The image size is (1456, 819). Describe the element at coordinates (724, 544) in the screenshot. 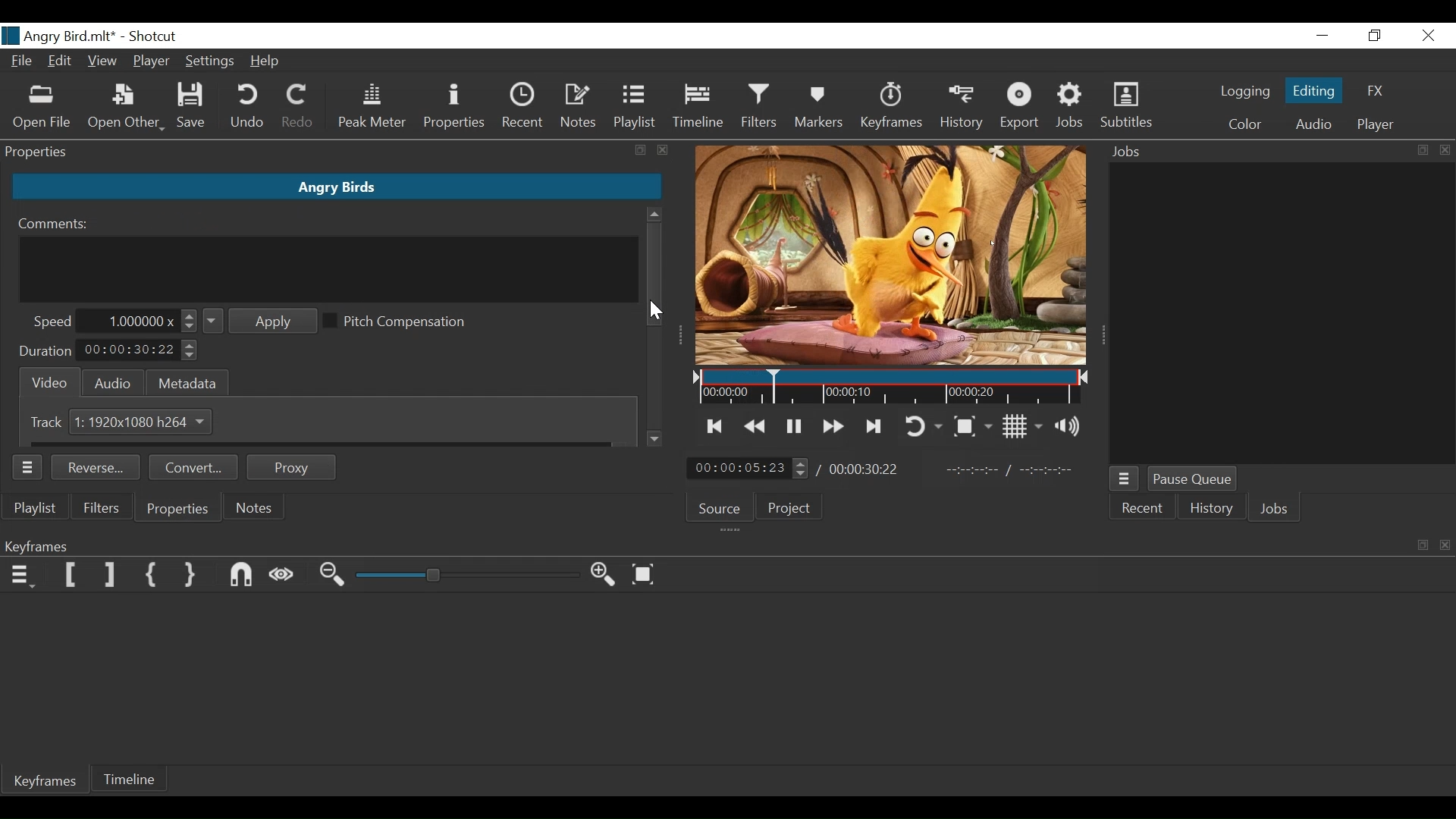

I see `Keyframe Panel` at that location.